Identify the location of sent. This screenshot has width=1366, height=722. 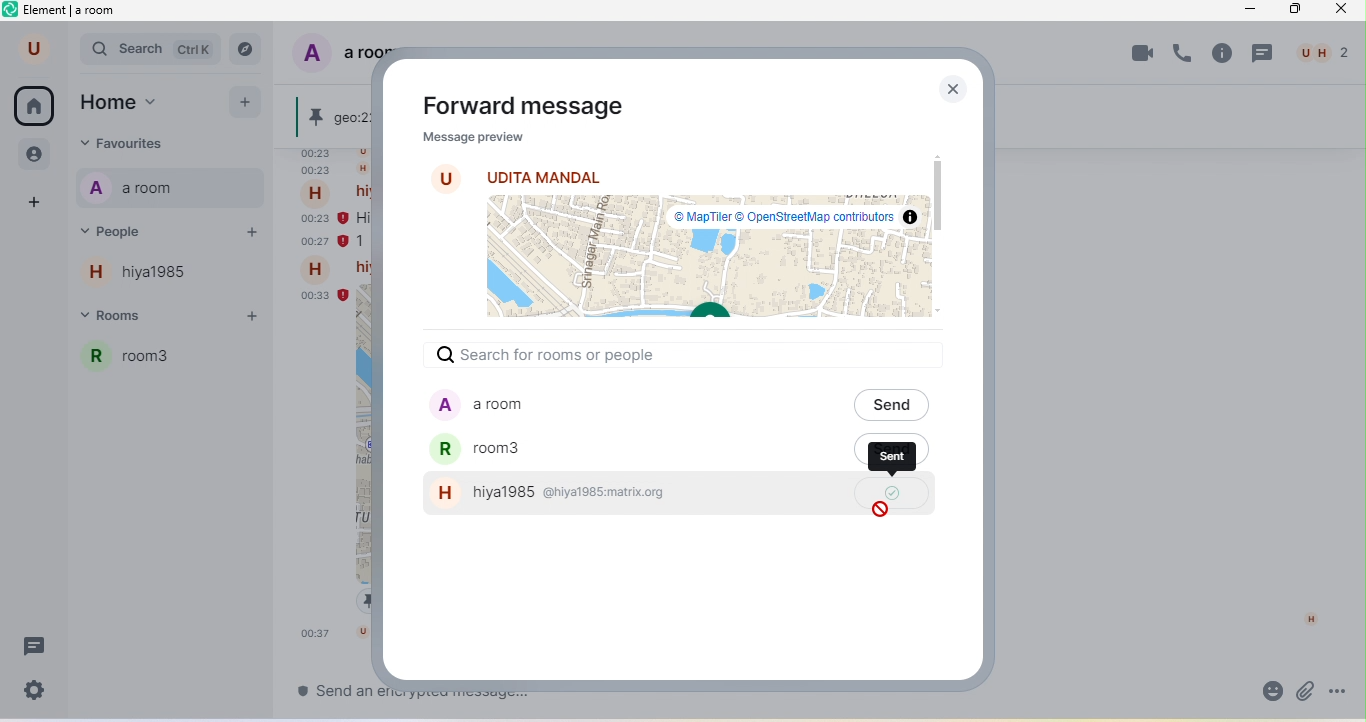
(896, 457).